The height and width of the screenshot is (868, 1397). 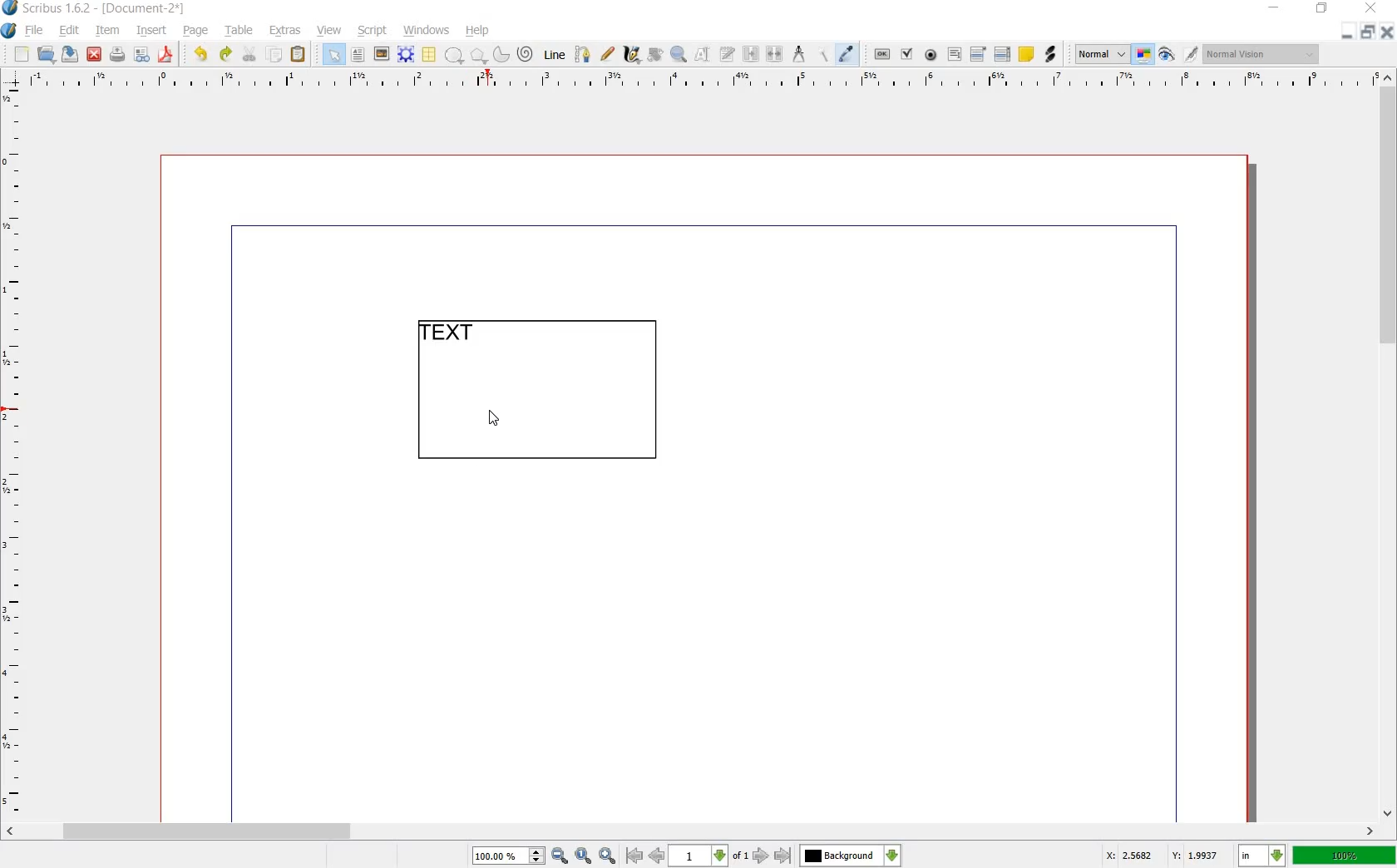 I want to click on close, so click(x=96, y=54).